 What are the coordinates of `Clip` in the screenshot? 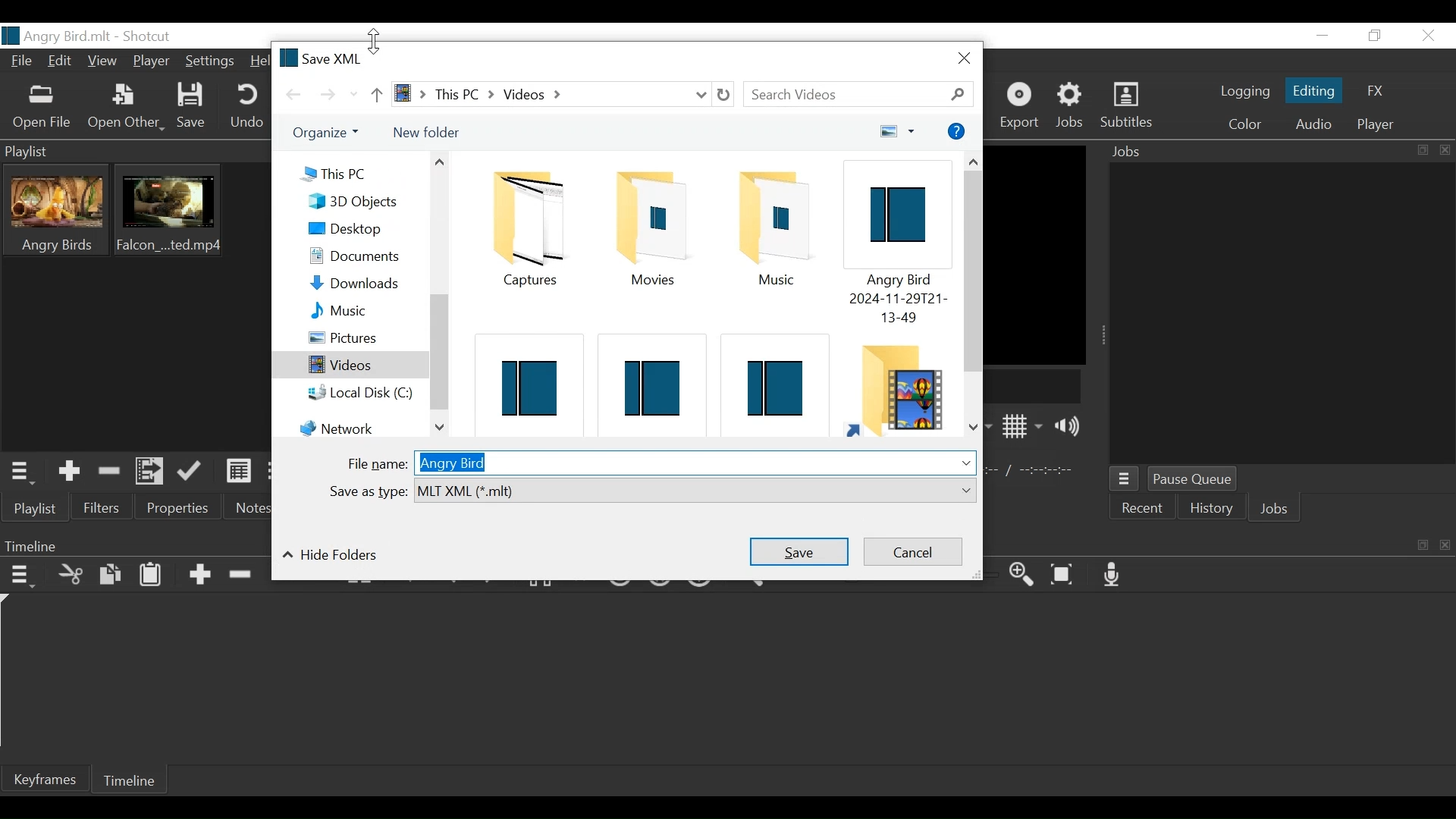 It's located at (170, 210).